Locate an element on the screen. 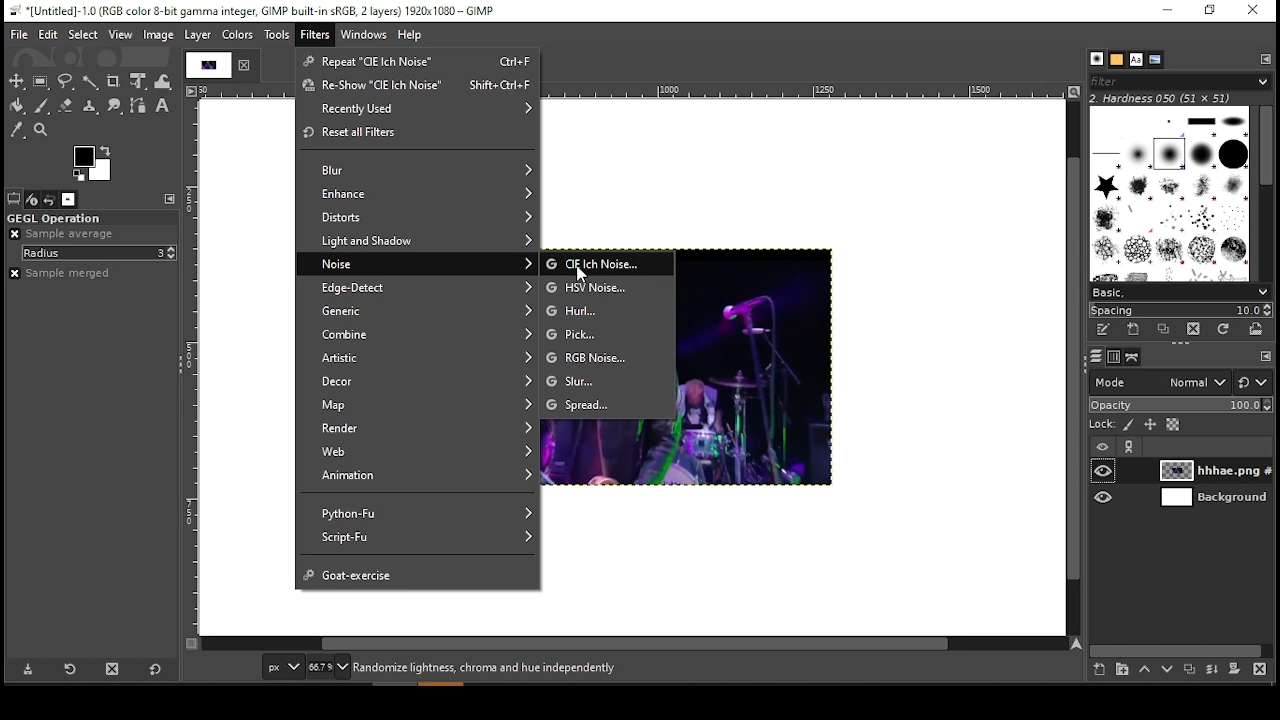  script fu is located at coordinates (419, 538).